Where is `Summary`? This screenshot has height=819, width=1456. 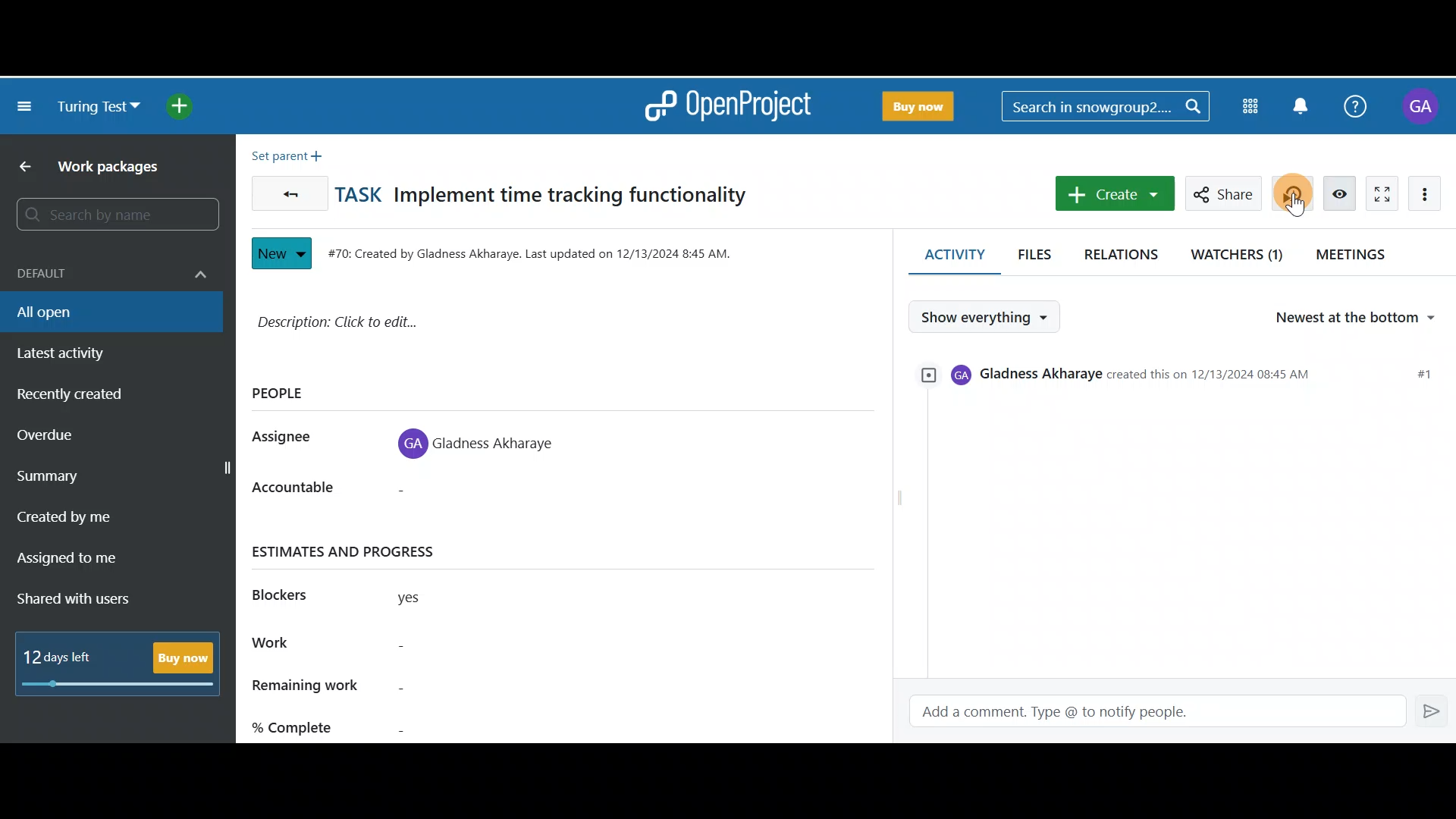 Summary is located at coordinates (120, 479).